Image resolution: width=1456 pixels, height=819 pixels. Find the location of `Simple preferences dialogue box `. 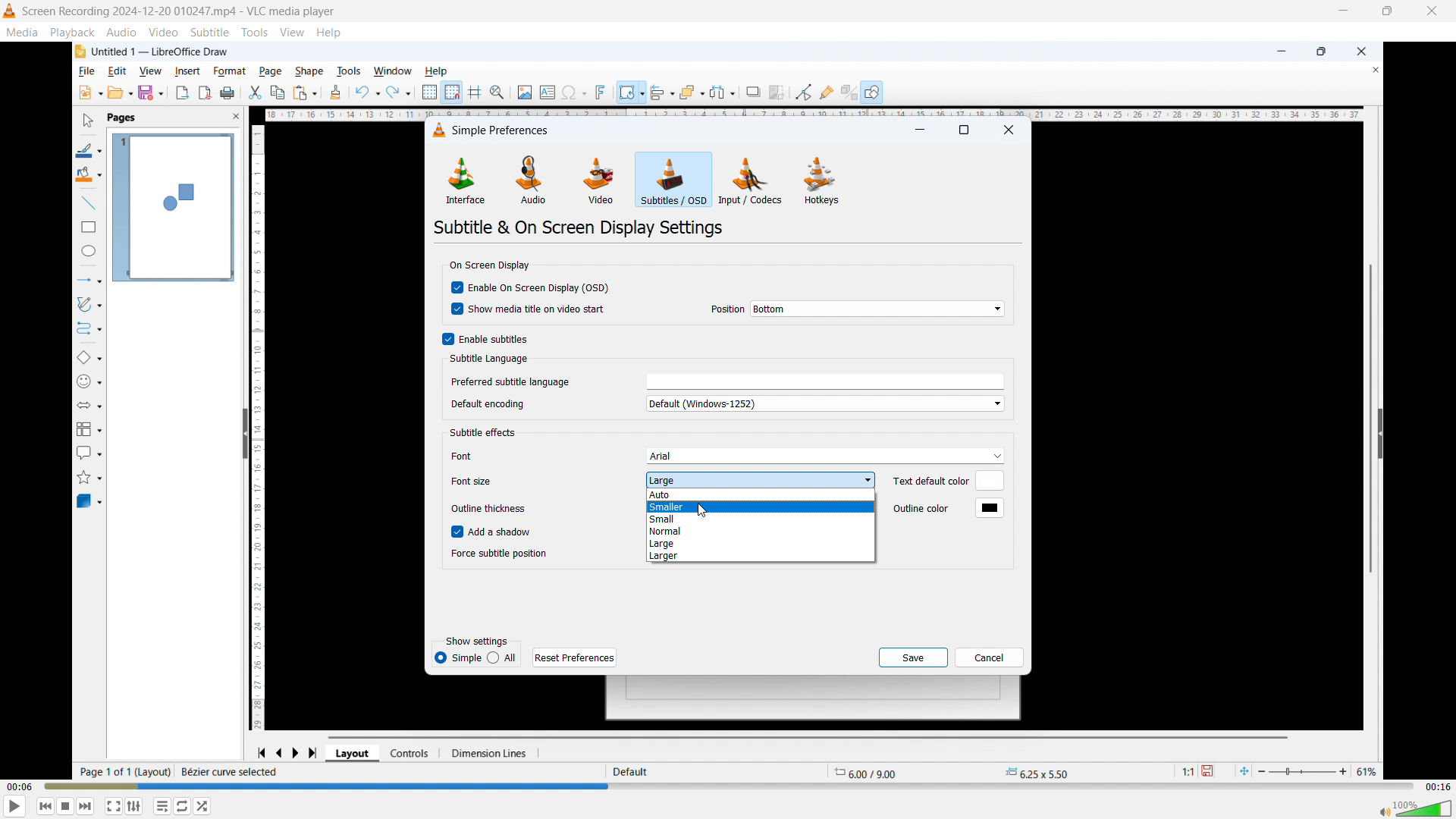

Simple preferences dialogue box  is located at coordinates (500, 131).